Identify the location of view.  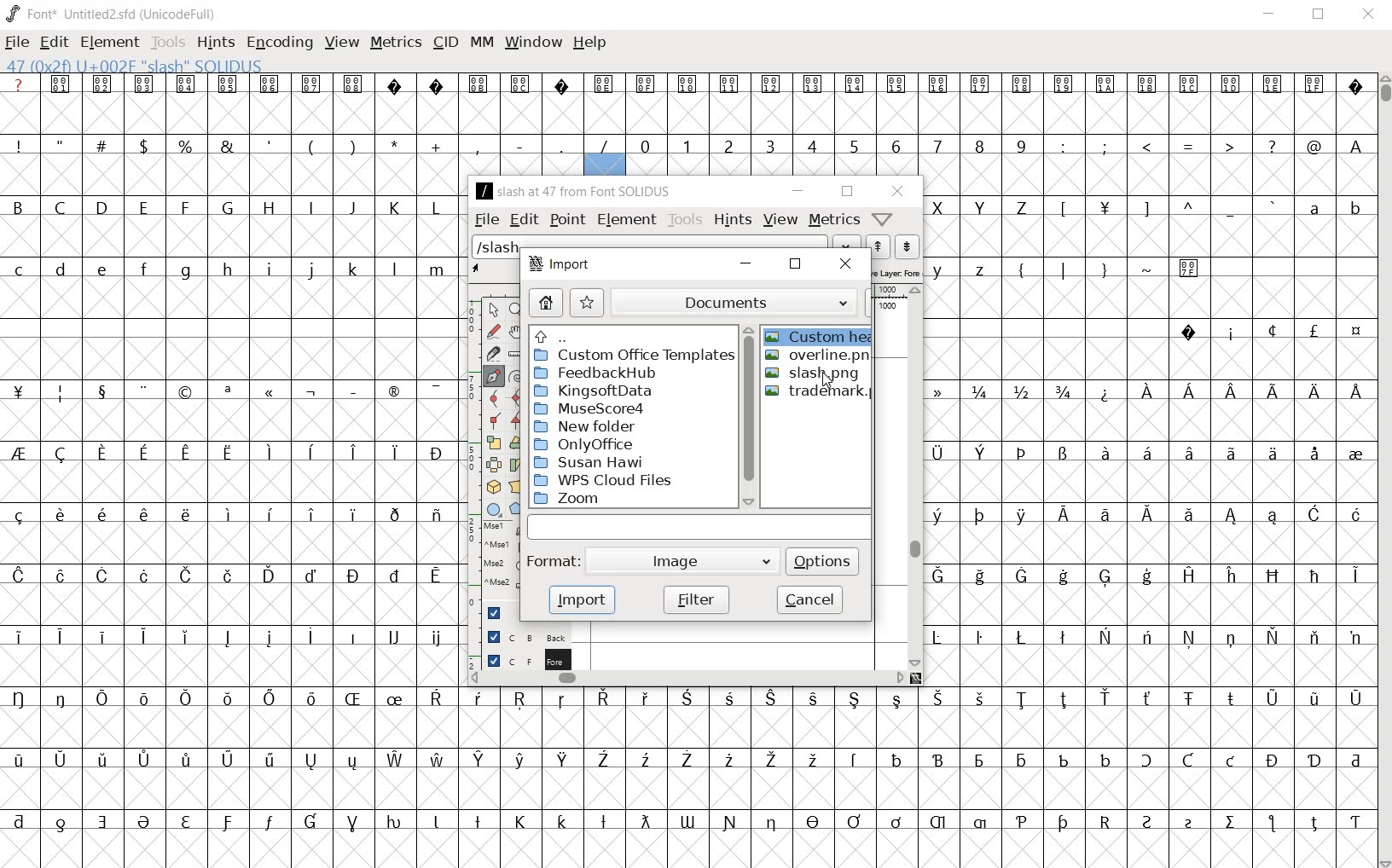
(781, 221).